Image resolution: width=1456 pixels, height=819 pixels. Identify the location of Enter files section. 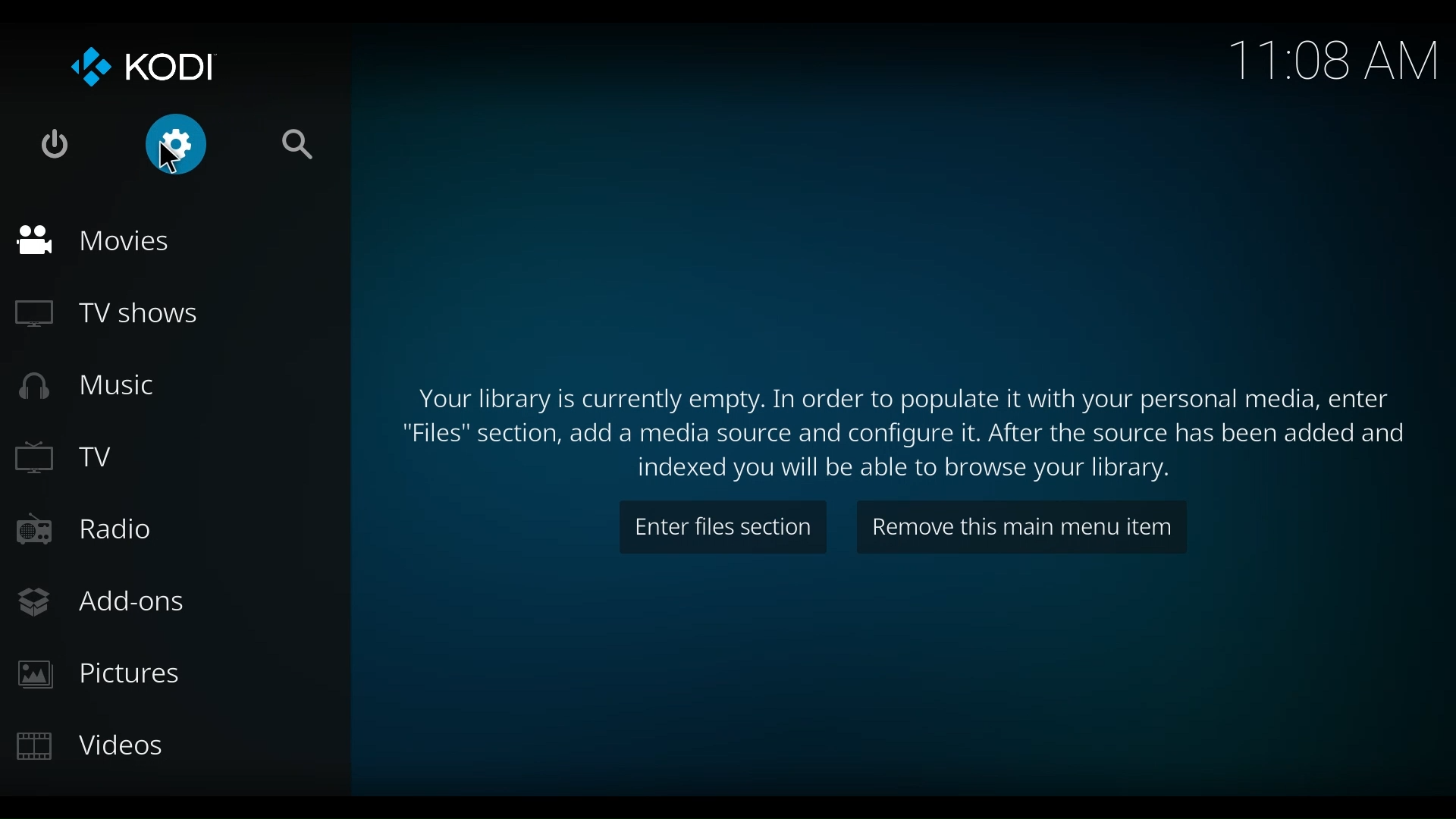
(723, 527).